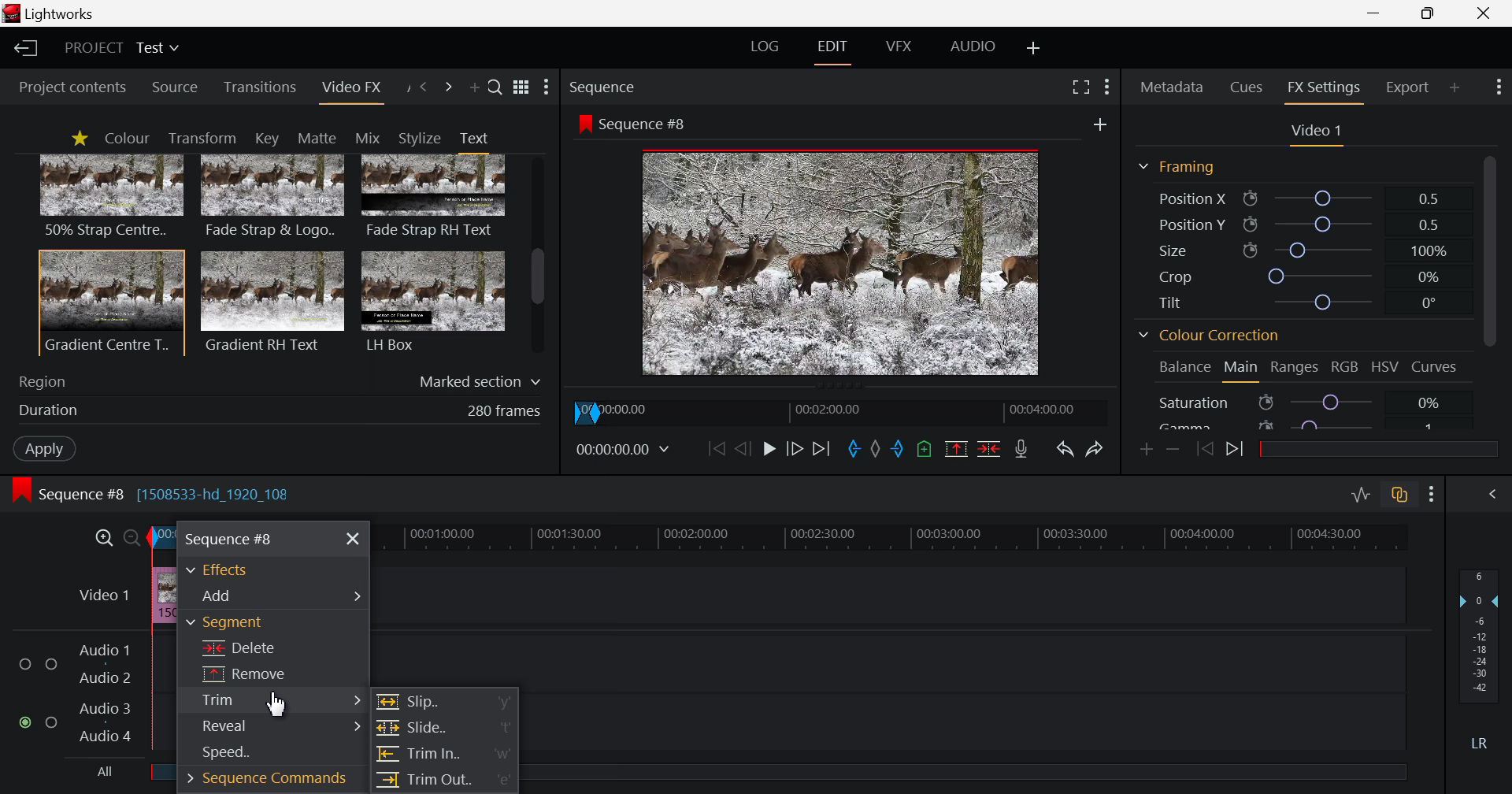  I want to click on Remove marked section, so click(956, 448).